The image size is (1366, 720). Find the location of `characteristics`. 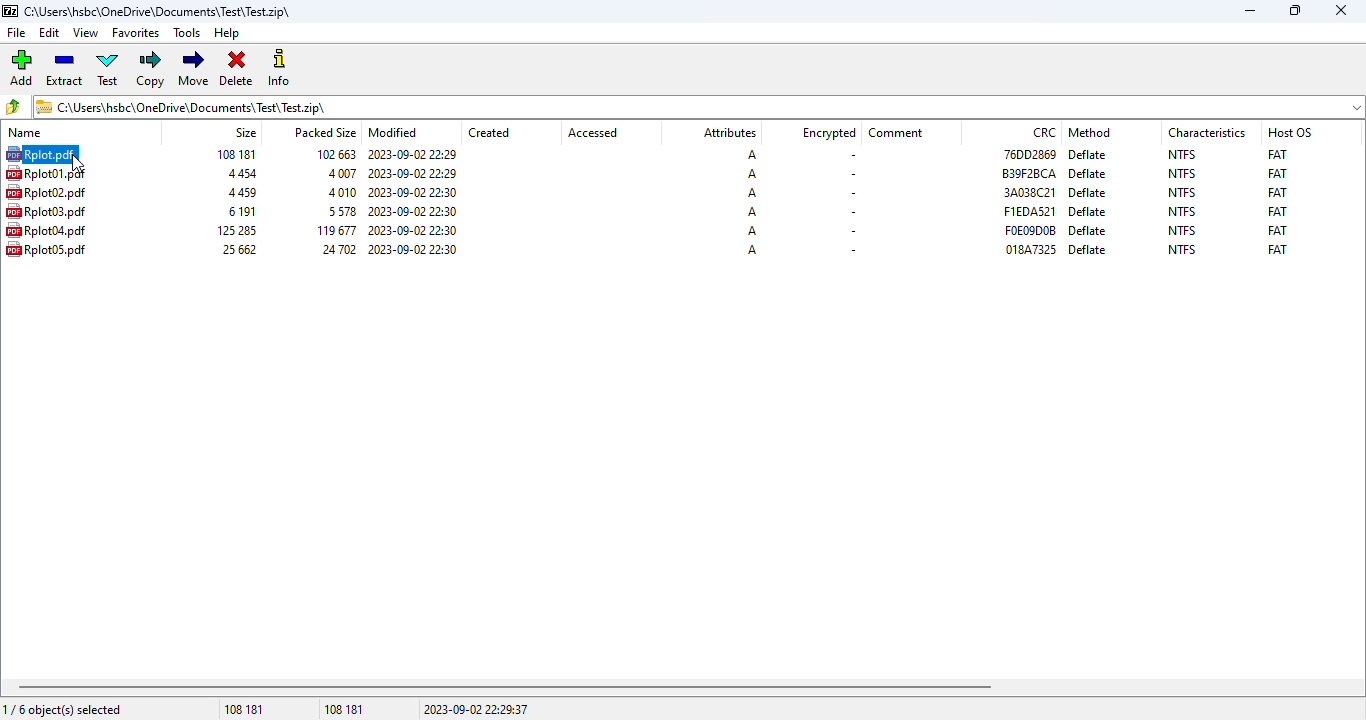

characteristics is located at coordinates (1207, 132).